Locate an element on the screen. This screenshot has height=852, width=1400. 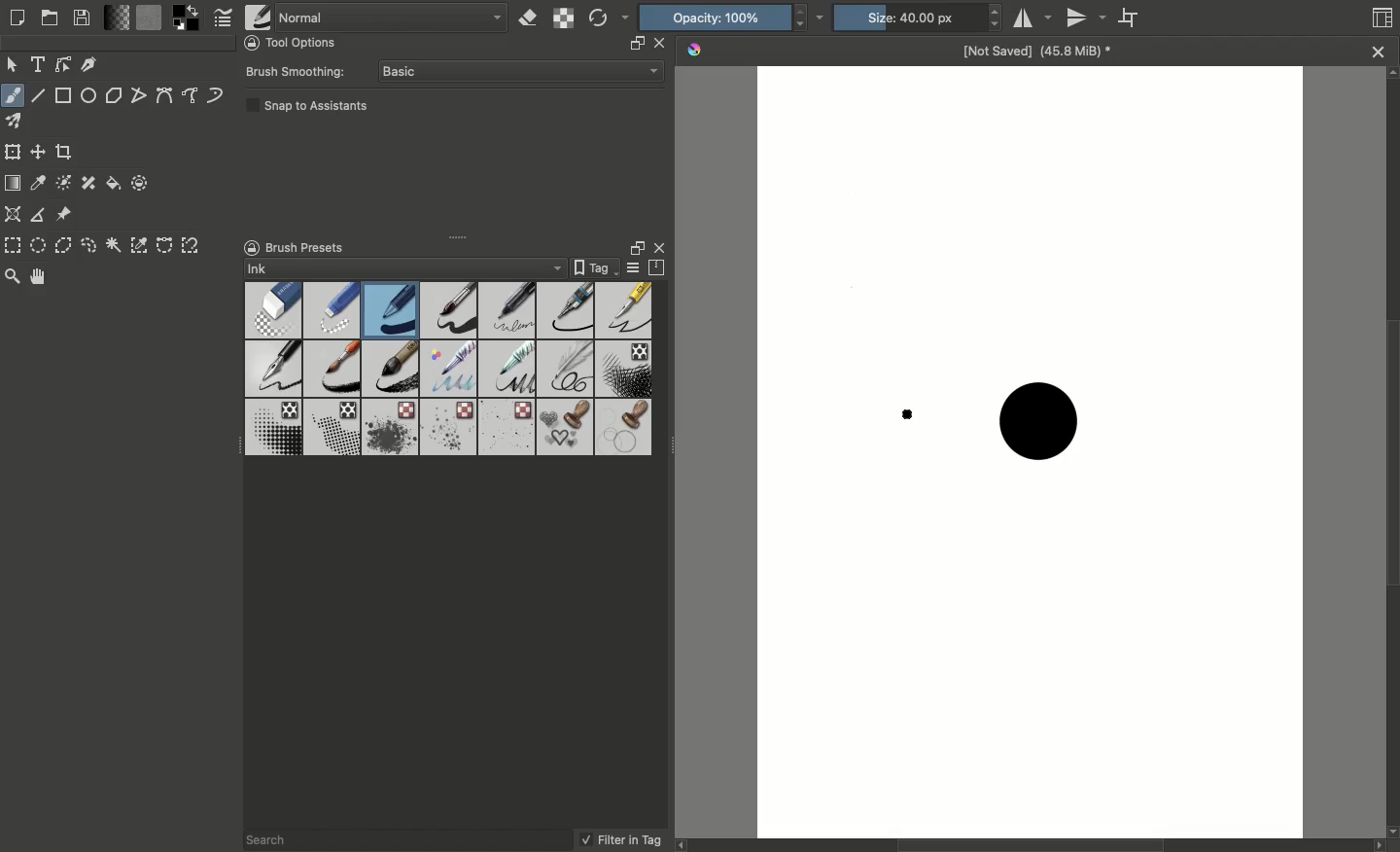
Polyline is located at coordinates (139, 95).